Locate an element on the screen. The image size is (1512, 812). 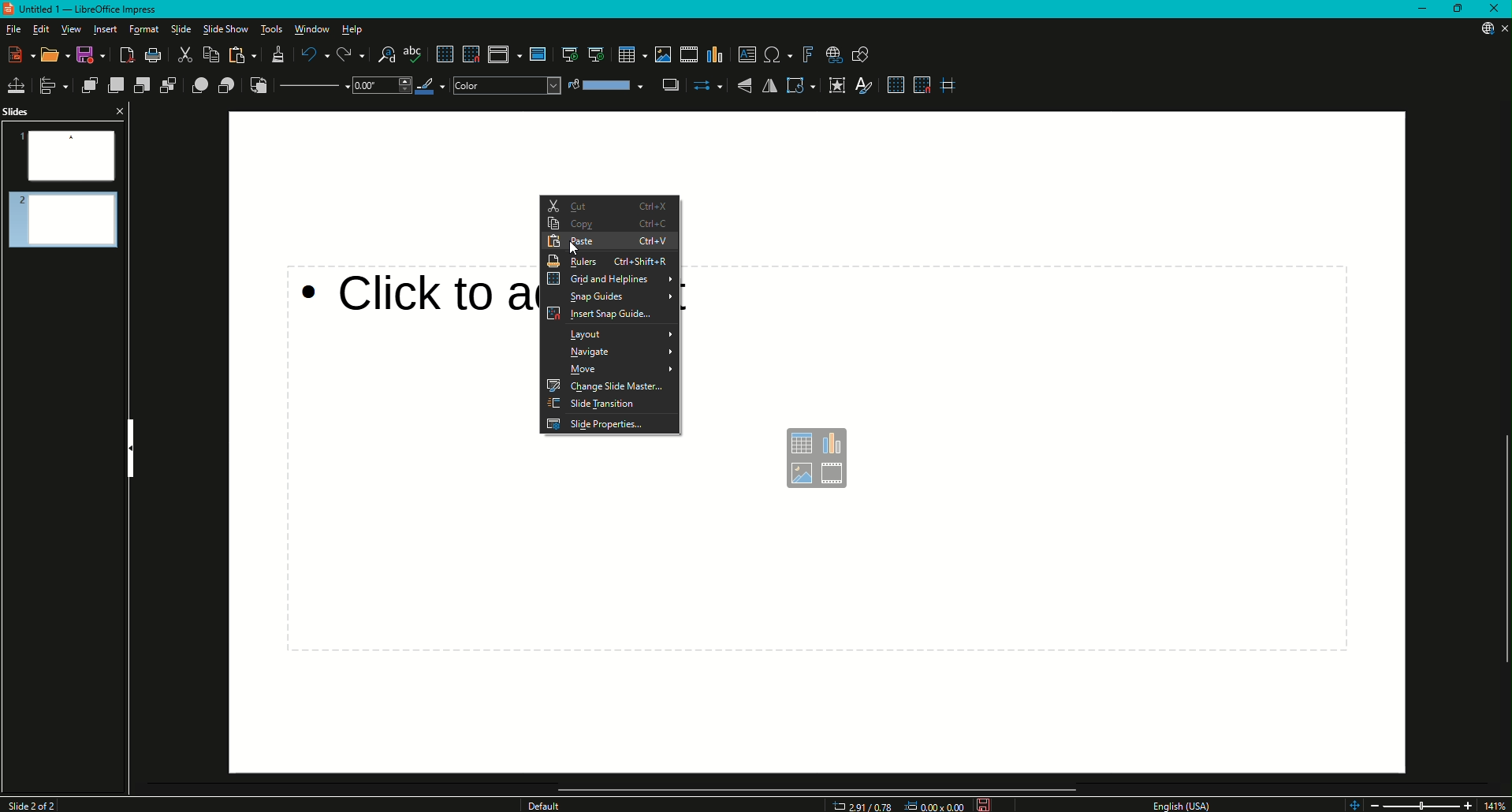
Slide 2 Preview is located at coordinates (68, 221).